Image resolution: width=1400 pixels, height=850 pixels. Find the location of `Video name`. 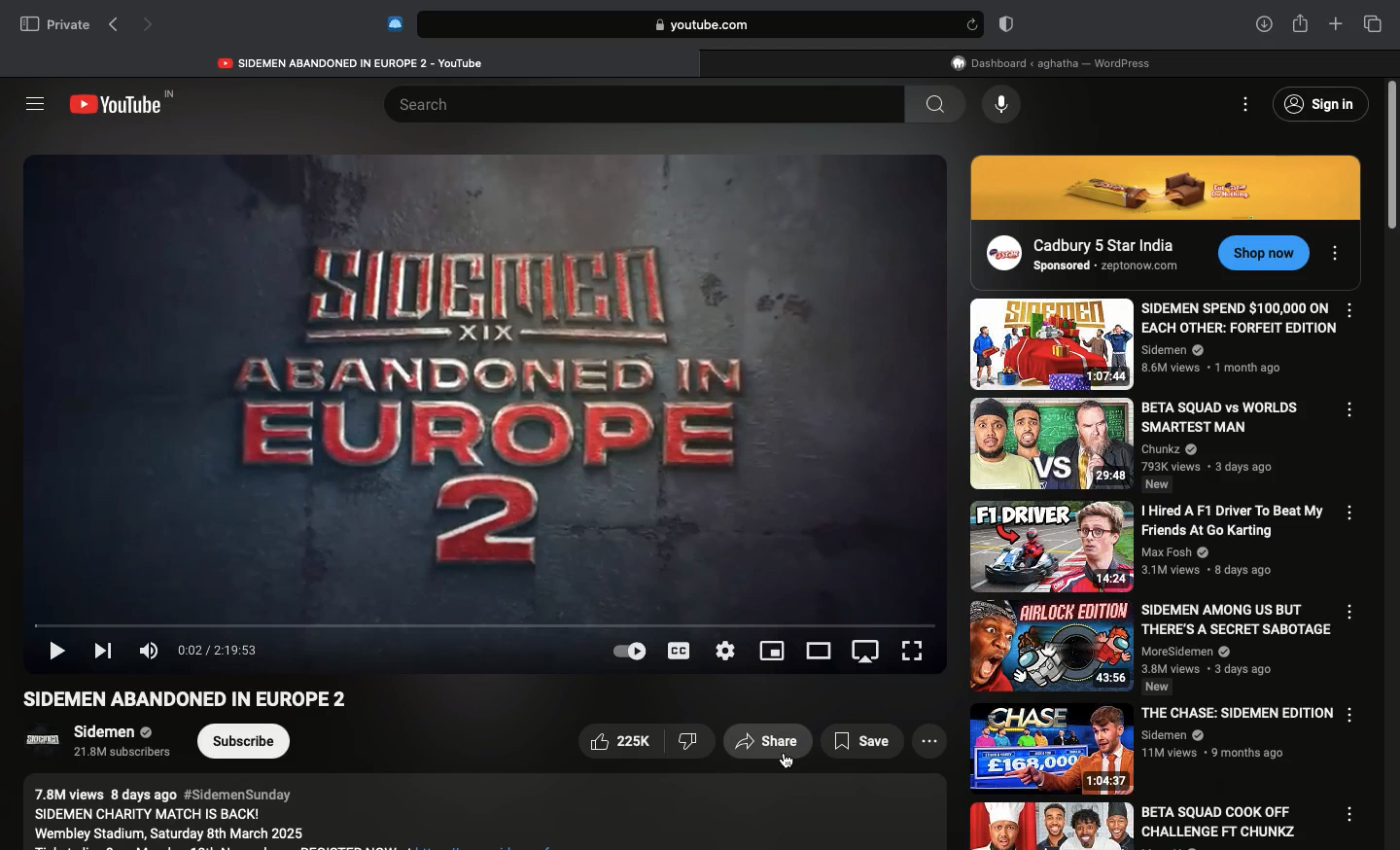

Video name is located at coordinates (1154, 745).